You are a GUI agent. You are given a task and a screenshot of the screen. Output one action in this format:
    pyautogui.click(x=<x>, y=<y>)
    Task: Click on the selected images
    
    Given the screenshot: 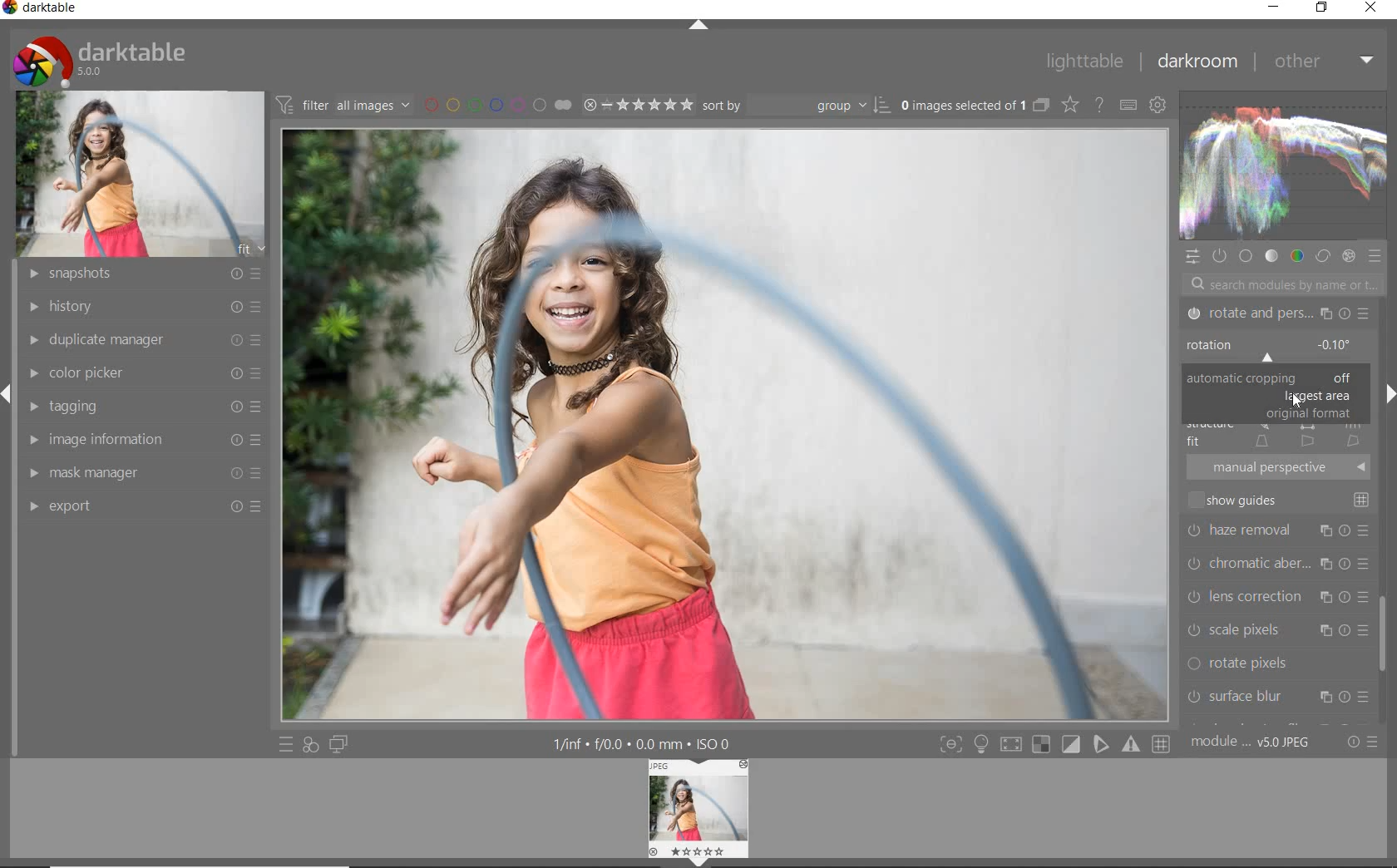 What is the action you would take?
    pyautogui.click(x=964, y=106)
    